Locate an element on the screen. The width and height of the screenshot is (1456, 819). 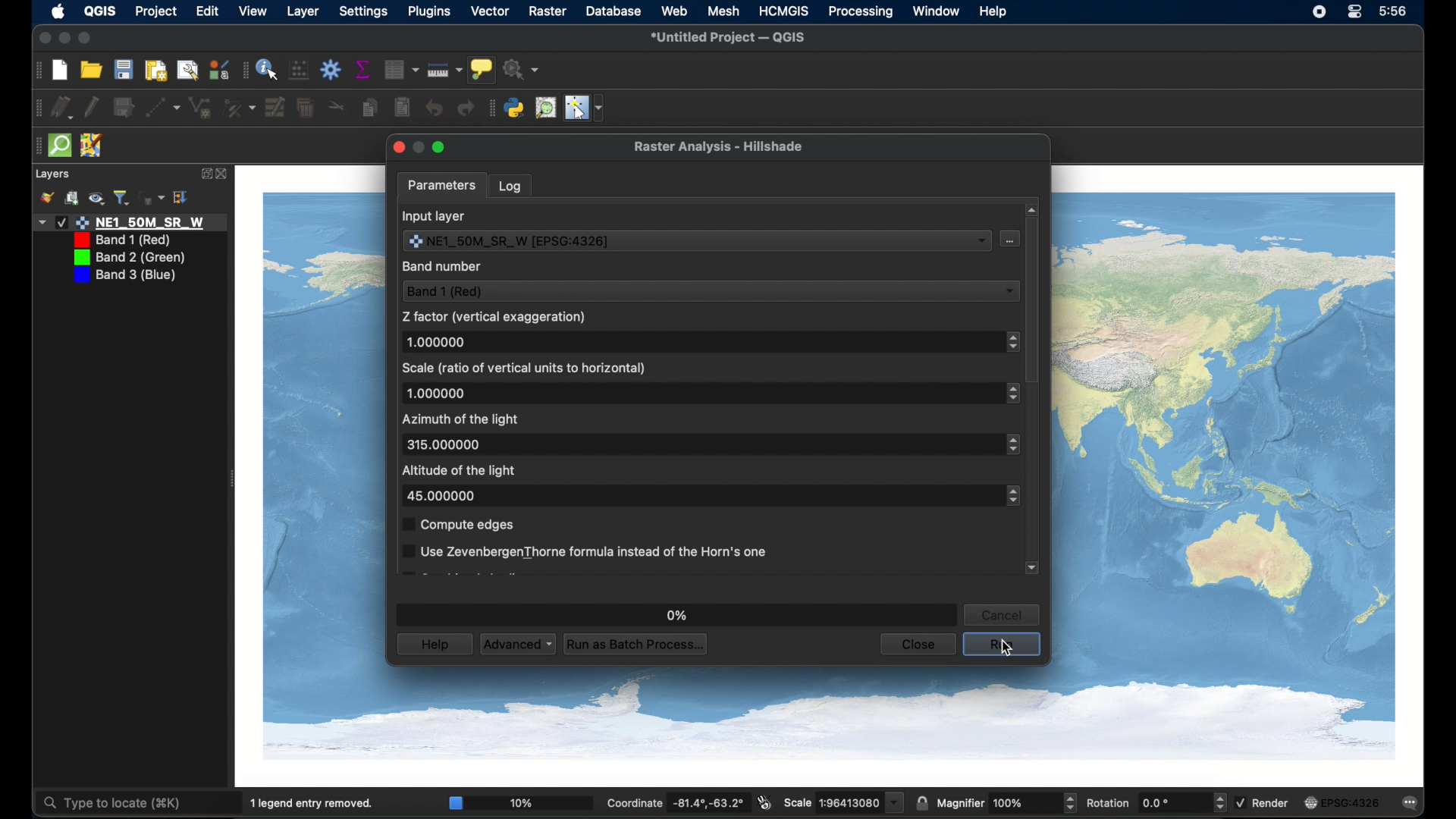
stepper buttons is located at coordinates (1012, 393).